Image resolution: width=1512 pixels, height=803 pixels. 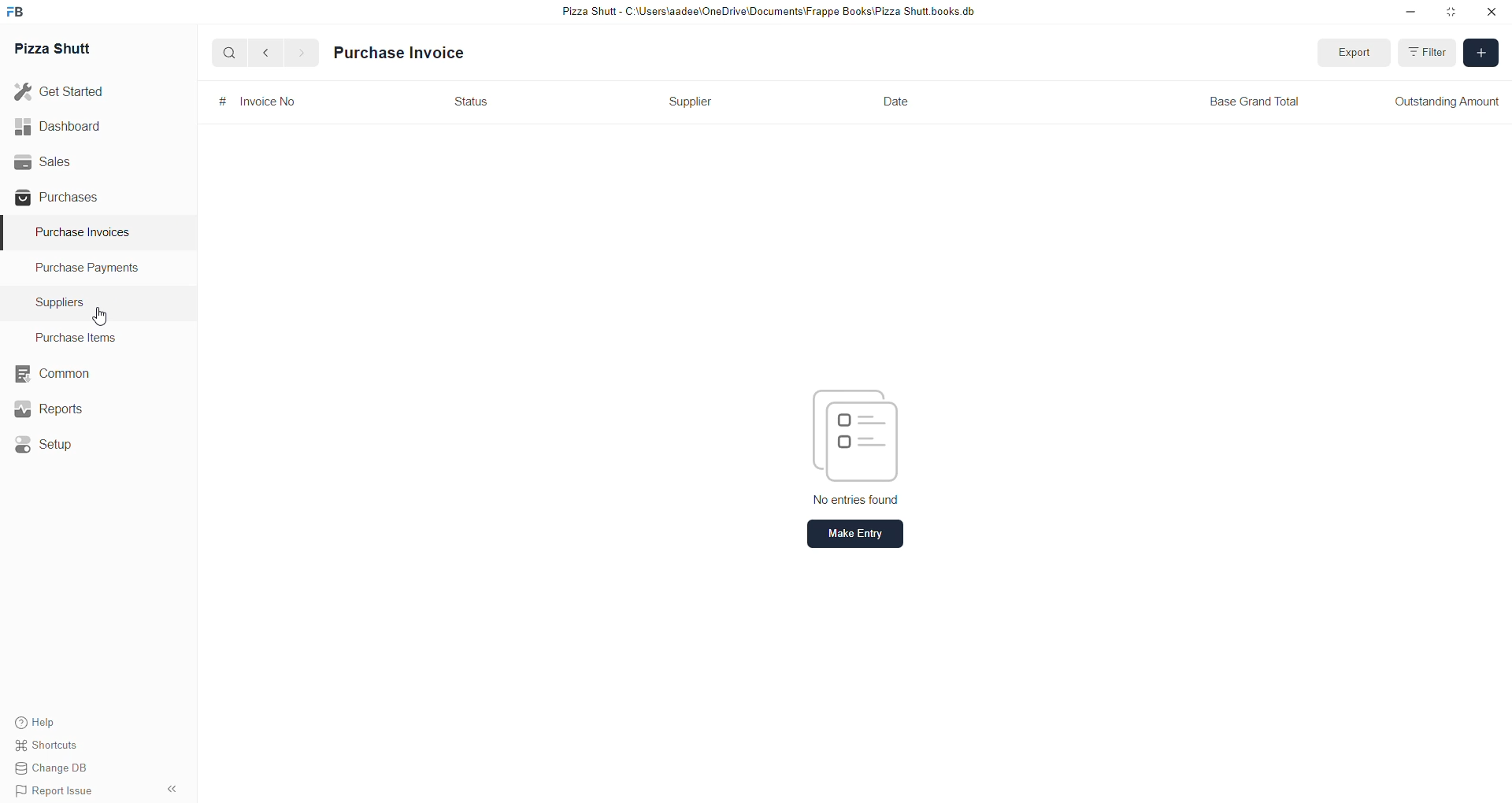 What do you see at coordinates (896, 103) in the screenshot?
I see `Date` at bounding box center [896, 103].